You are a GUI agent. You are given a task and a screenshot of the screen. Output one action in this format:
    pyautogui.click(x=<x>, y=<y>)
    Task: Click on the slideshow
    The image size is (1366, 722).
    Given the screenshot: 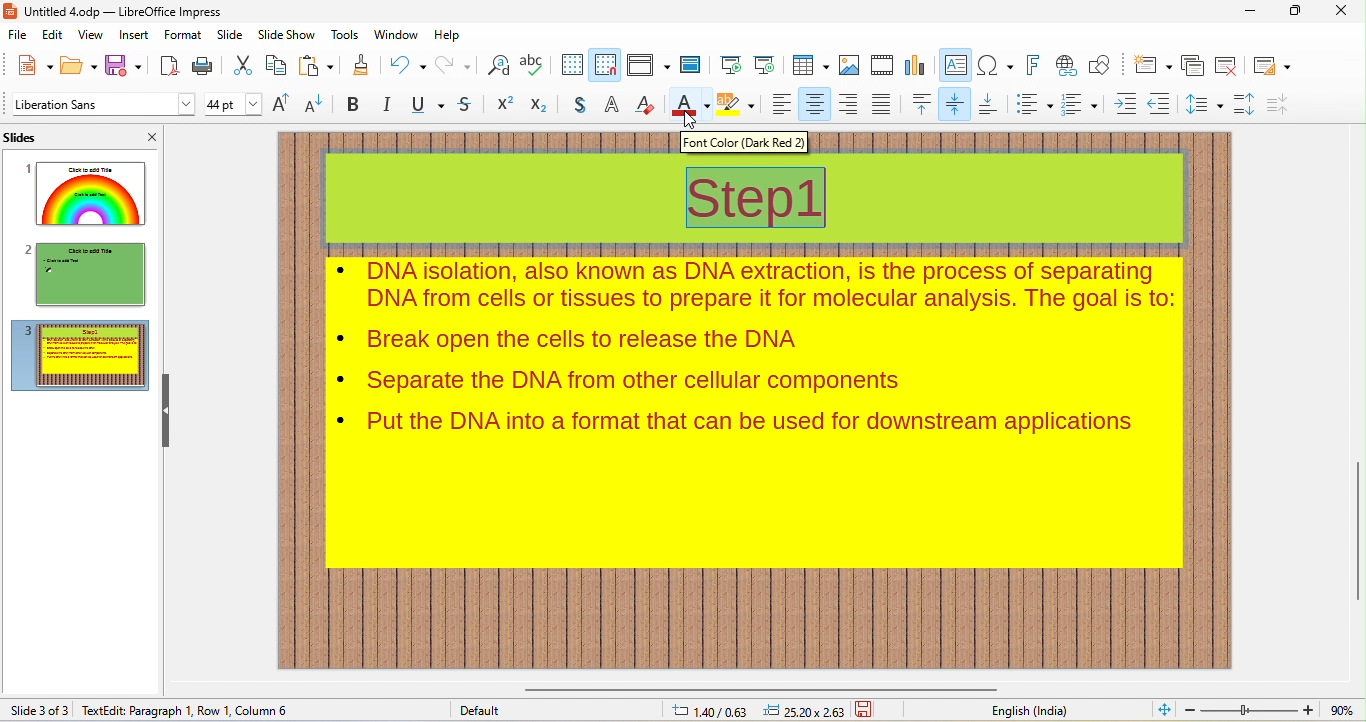 What is the action you would take?
    pyautogui.click(x=287, y=35)
    